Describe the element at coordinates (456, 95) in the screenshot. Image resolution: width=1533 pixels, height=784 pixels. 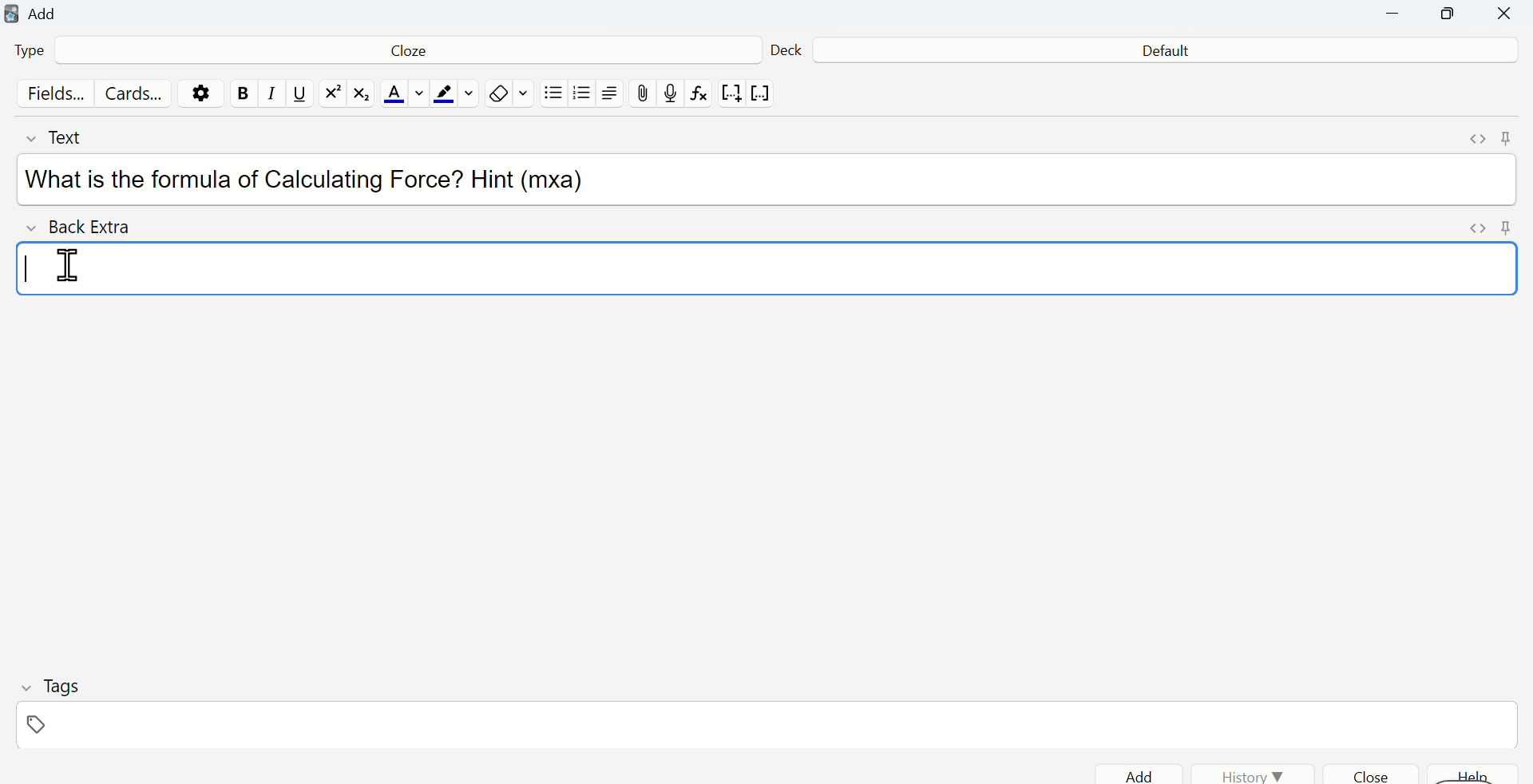
I see `Text highlight color` at that location.